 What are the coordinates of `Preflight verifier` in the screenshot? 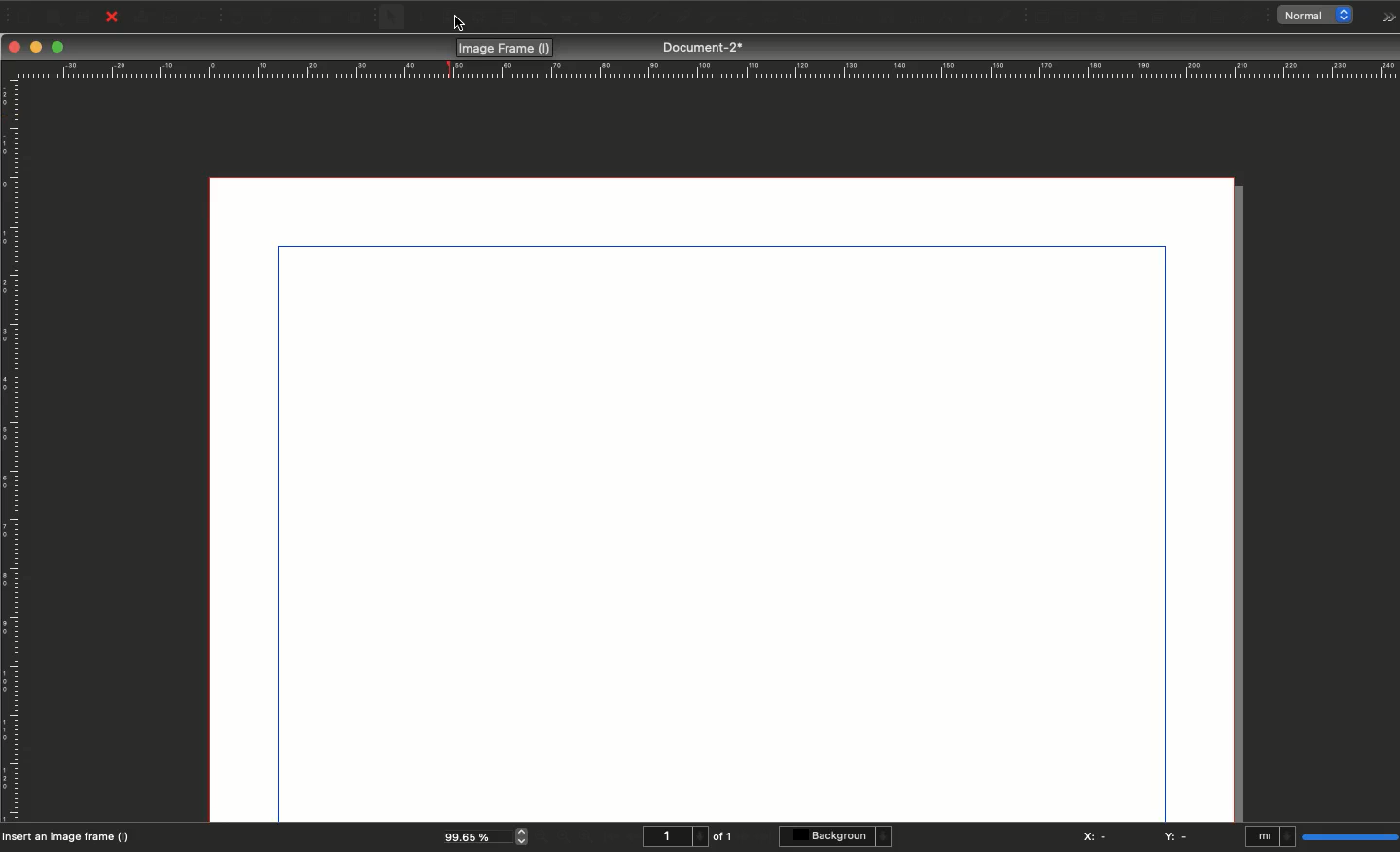 It's located at (172, 20).